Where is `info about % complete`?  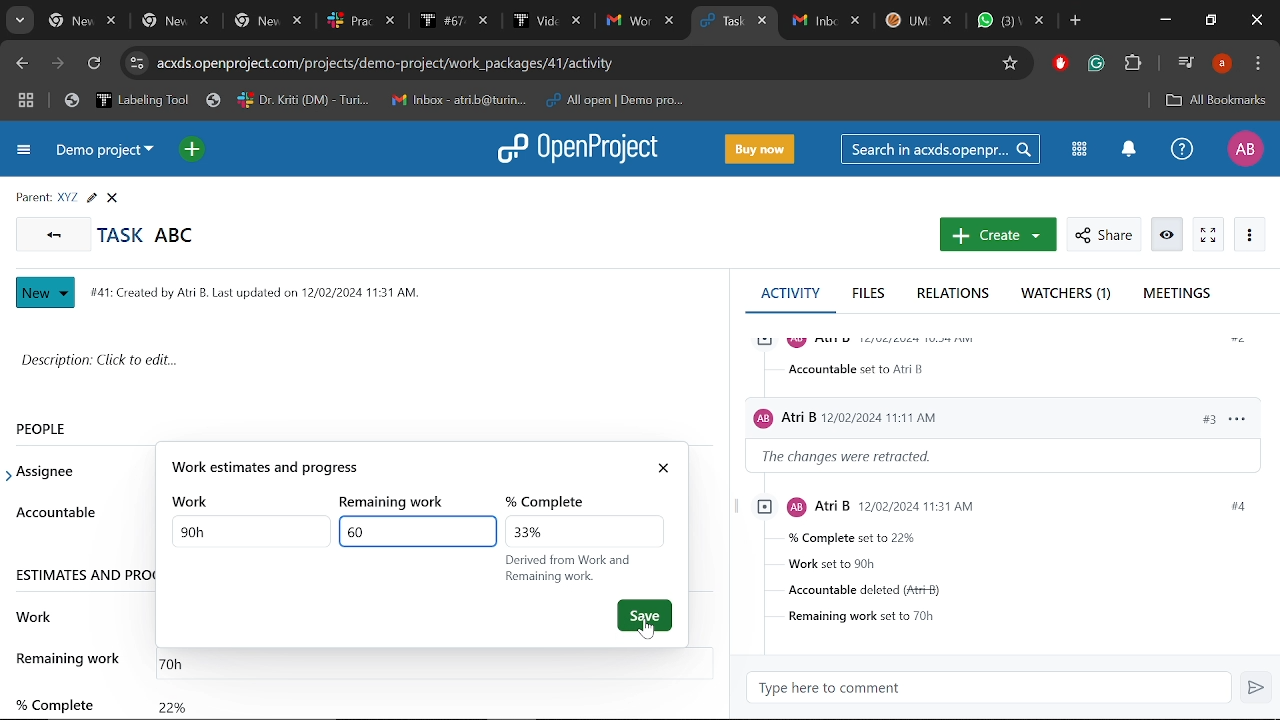 info about % complete is located at coordinates (574, 569).